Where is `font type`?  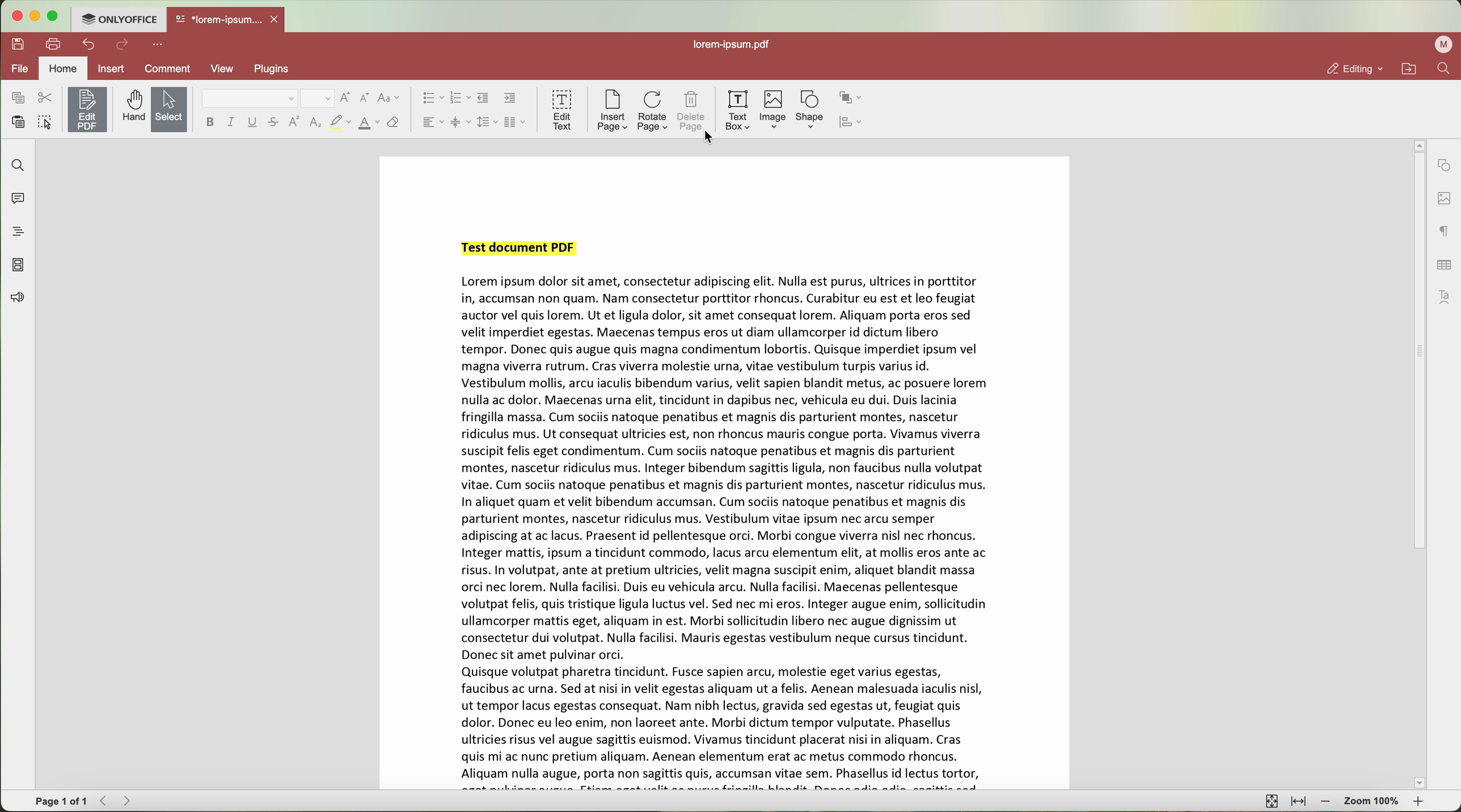
font type is located at coordinates (250, 99).